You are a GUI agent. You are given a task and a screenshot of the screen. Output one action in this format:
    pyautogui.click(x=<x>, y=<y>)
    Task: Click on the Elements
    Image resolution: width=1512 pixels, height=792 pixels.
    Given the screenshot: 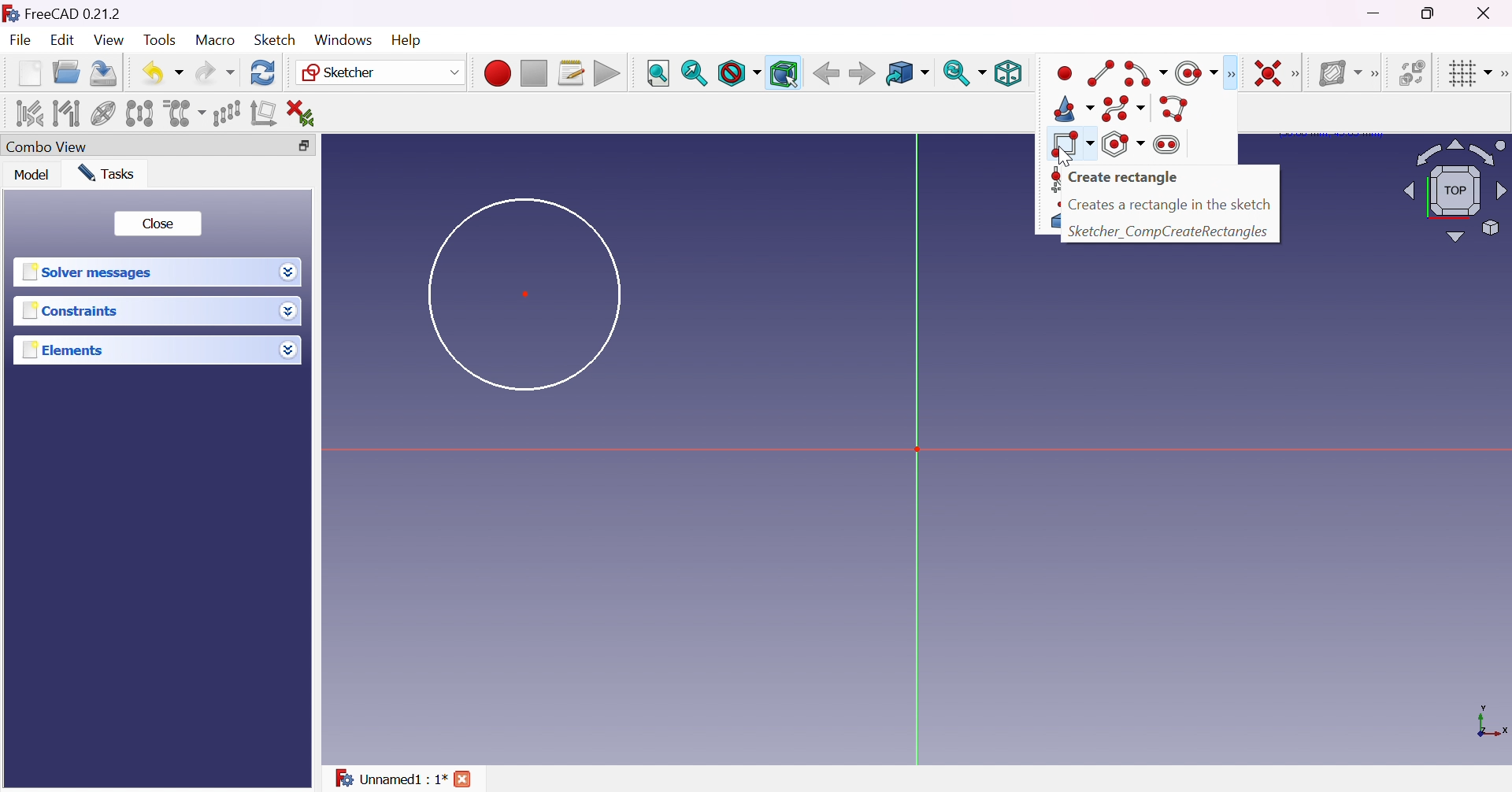 What is the action you would take?
    pyautogui.click(x=65, y=350)
    